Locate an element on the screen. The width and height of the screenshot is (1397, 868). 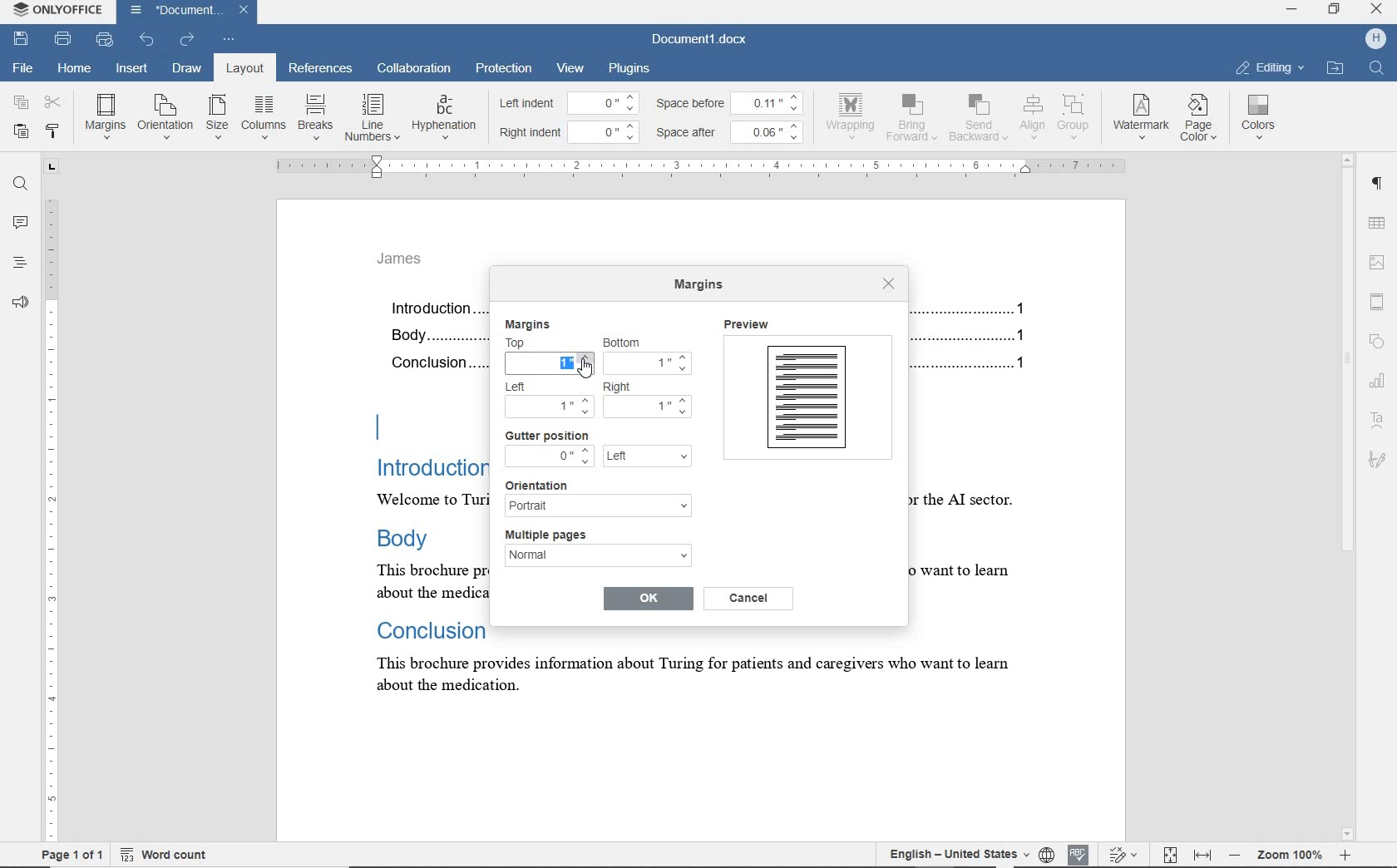
columns is located at coordinates (263, 117).